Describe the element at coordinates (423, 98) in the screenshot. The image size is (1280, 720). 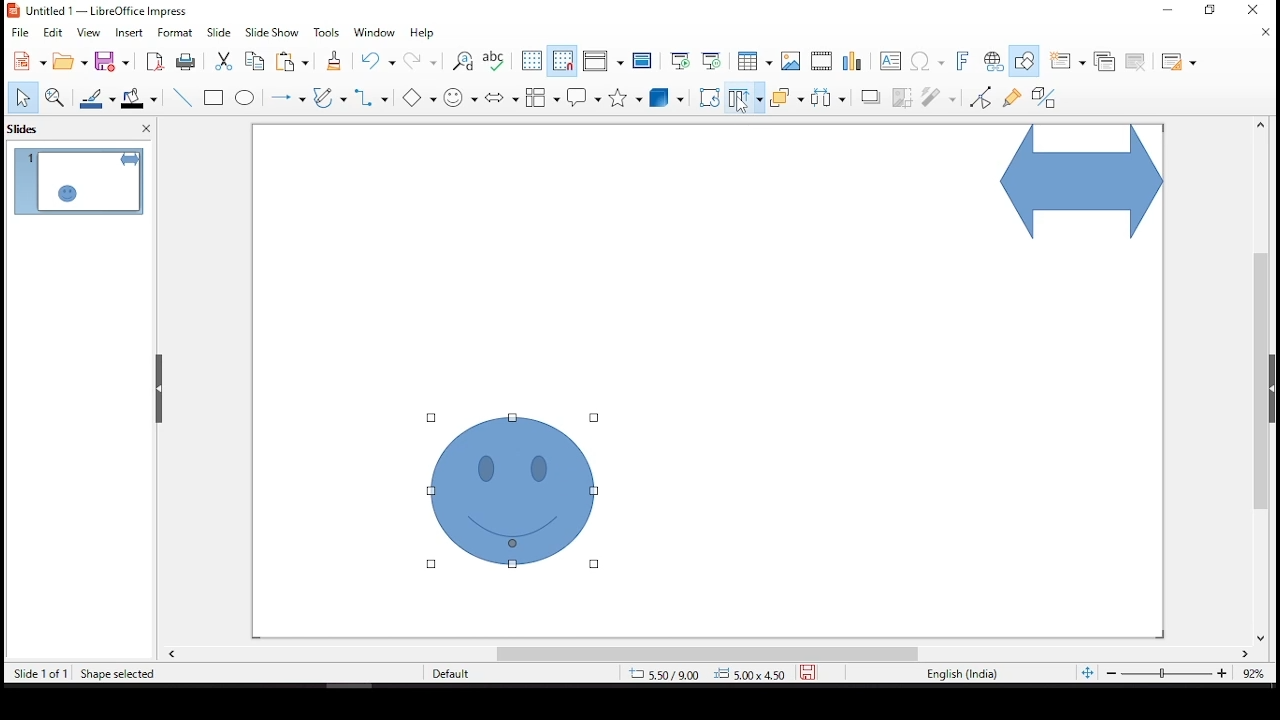
I see `` at that location.